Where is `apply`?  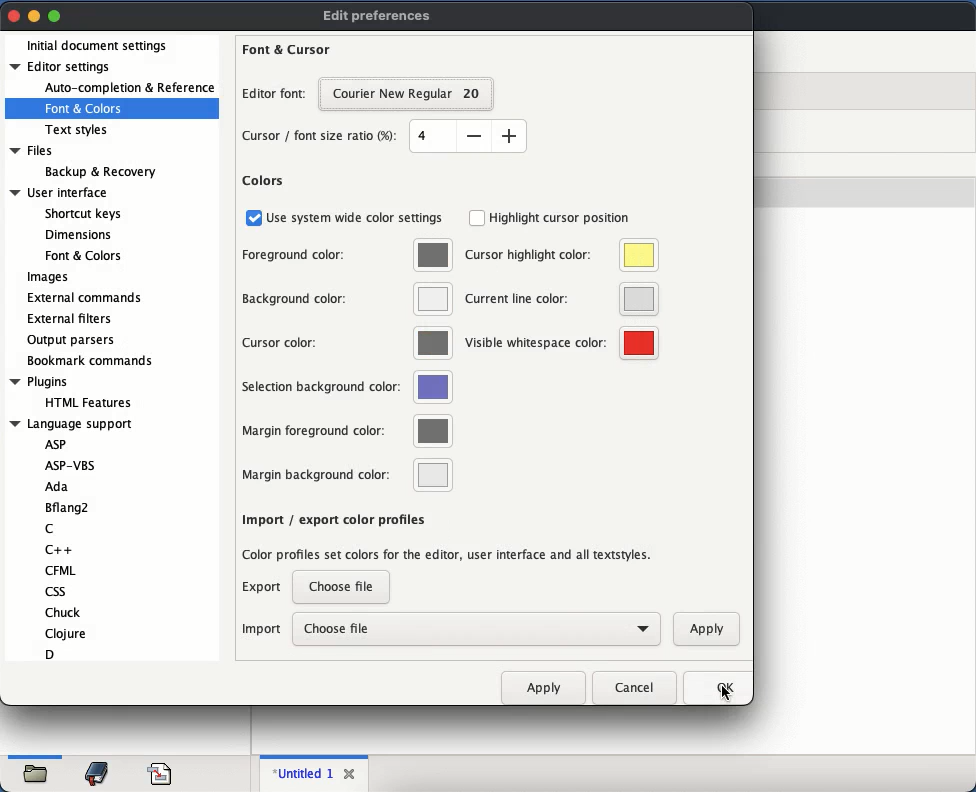 apply is located at coordinates (706, 630).